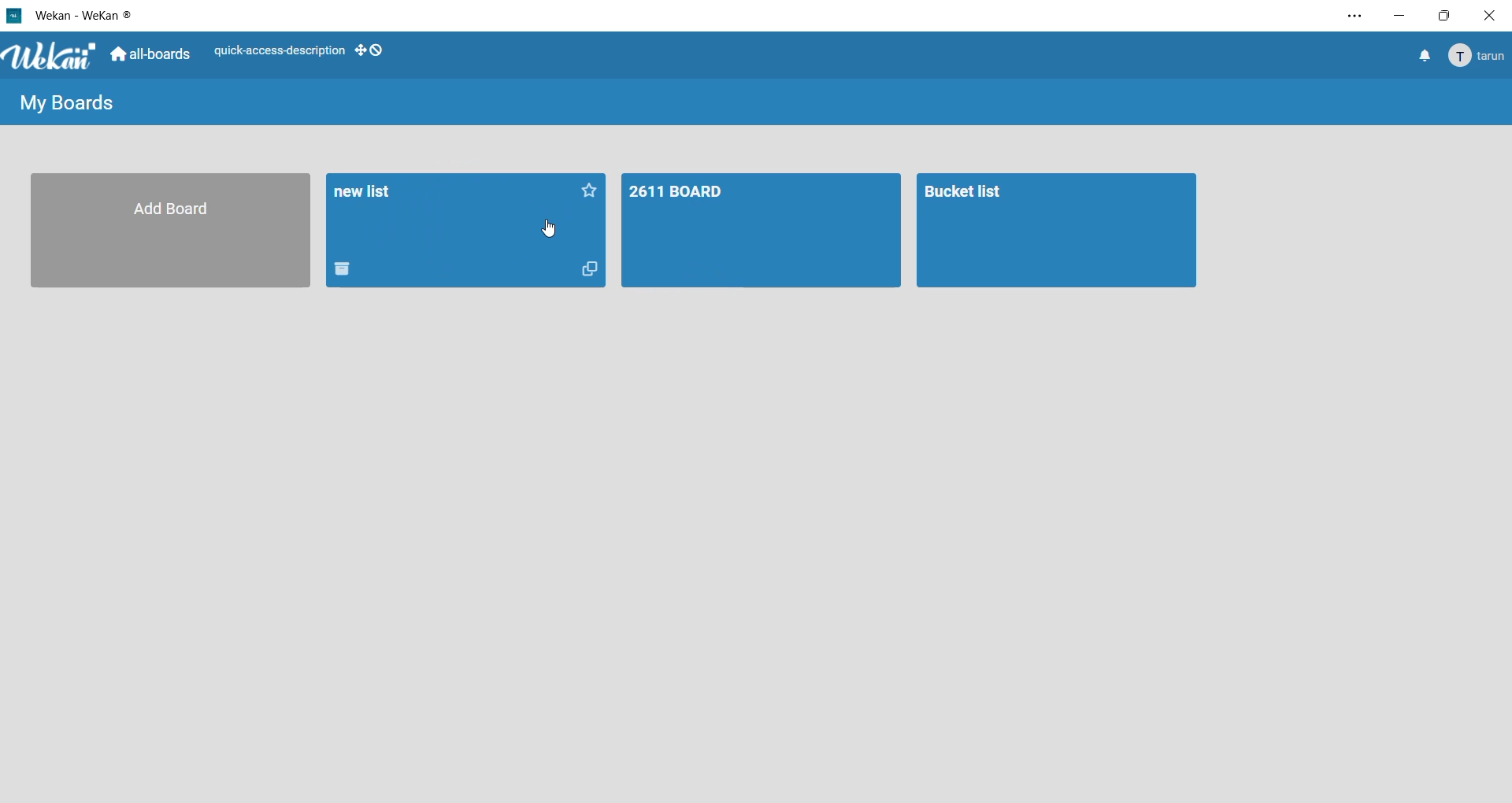 The width and height of the screenshot is (1512, 803). I want to click on notifications, so click(1423, 58).